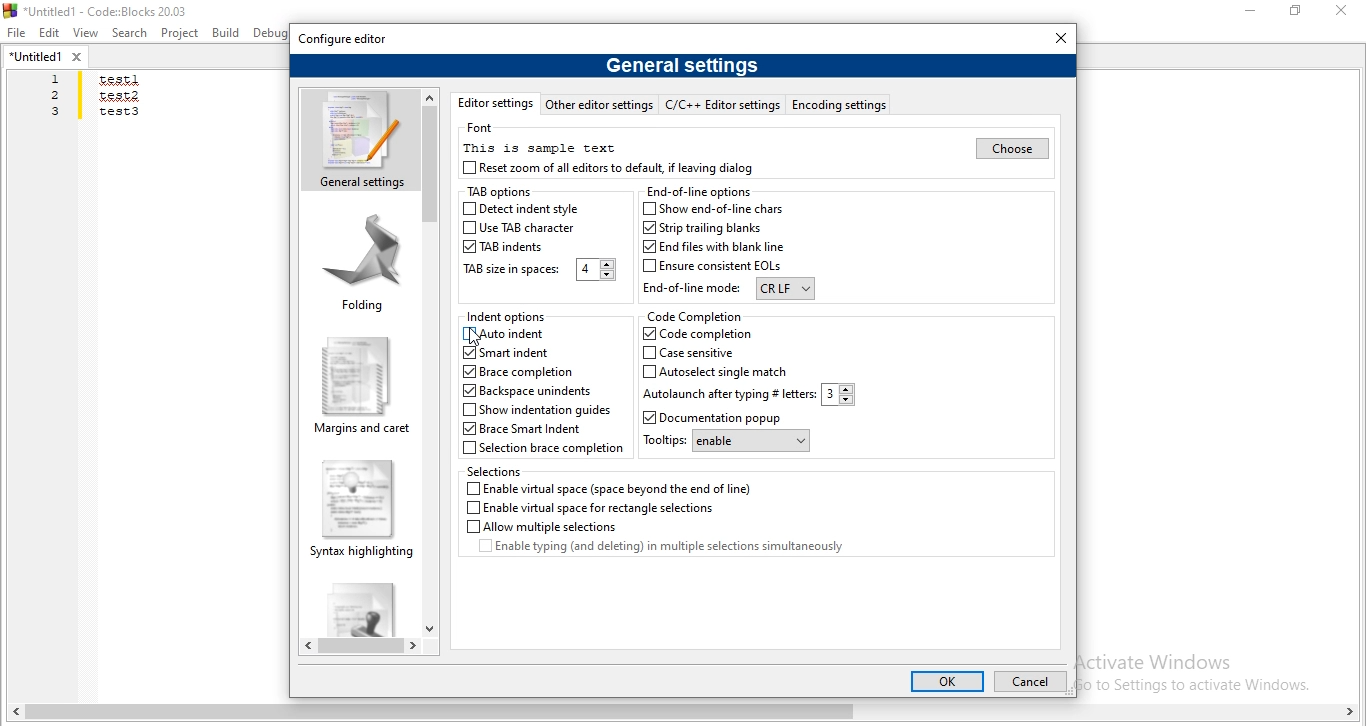 Image resolution: width=1366 pixels, height=726 pixels. Describe the element at coordinates (50, 34) in the screenshot. I see `Edit ` at that location.